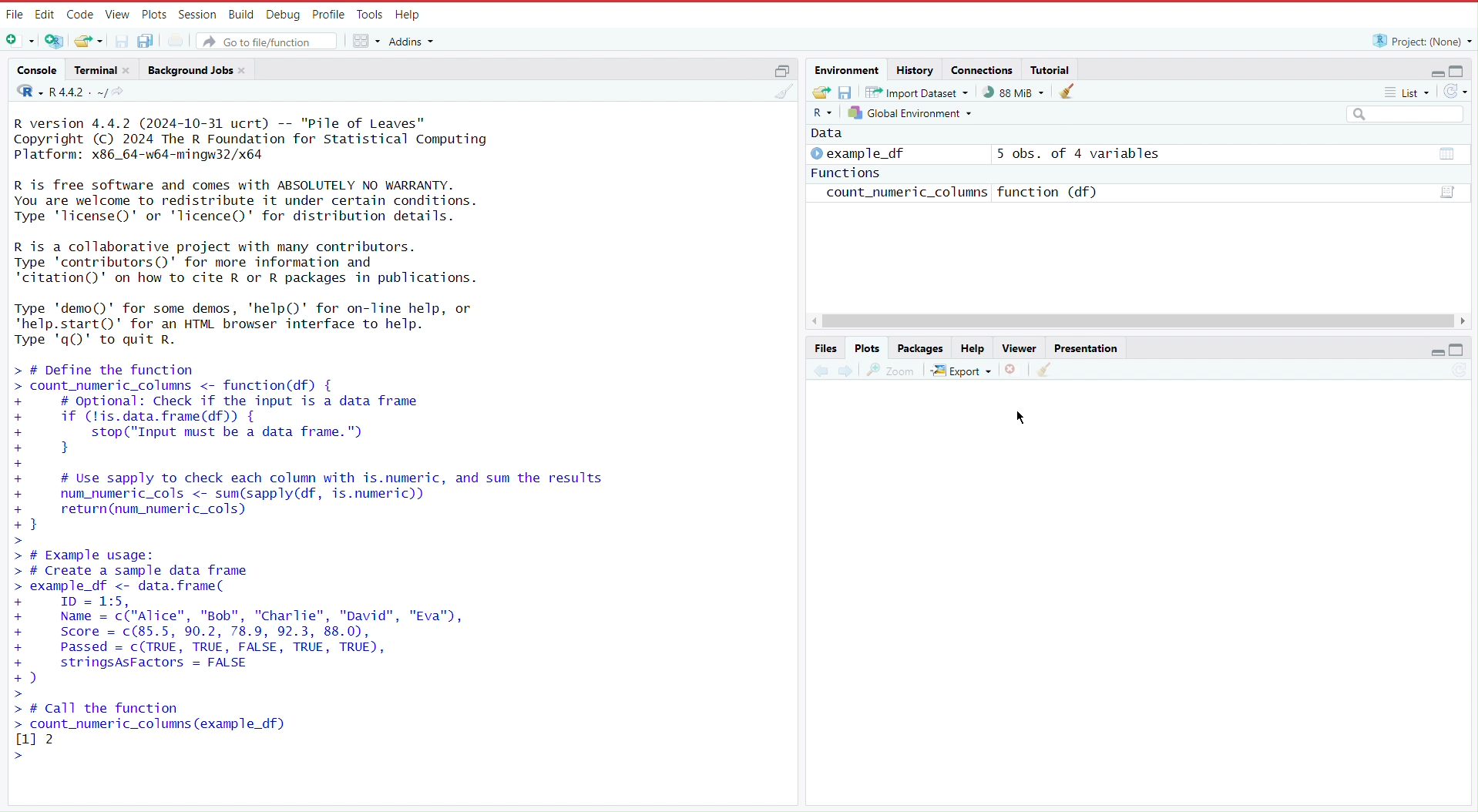  I want to click on Project (Note), so click(1418, 40).